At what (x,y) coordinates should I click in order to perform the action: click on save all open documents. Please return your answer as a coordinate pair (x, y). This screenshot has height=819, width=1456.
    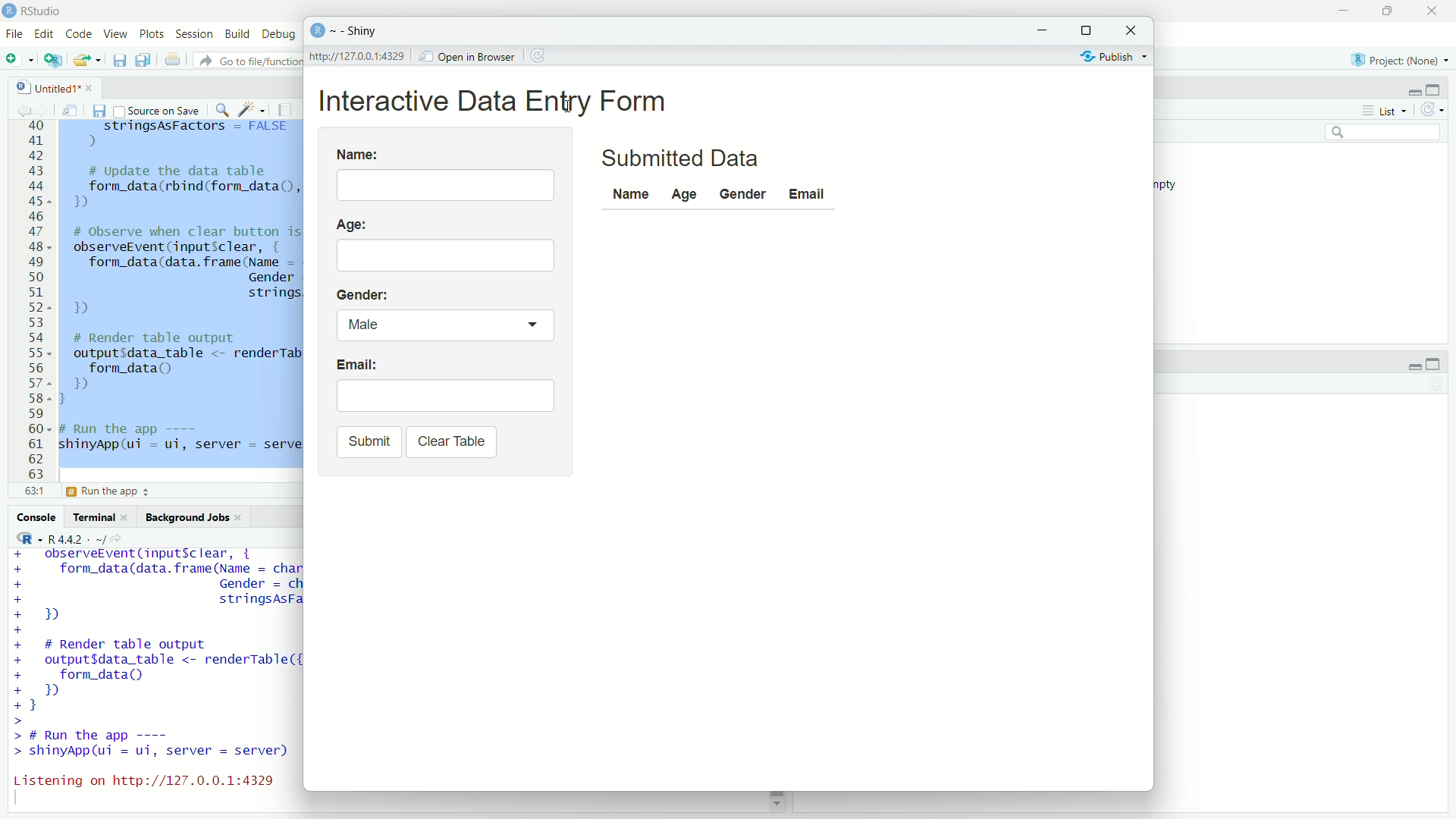
    Looking at the image, I should click on (143, 60).